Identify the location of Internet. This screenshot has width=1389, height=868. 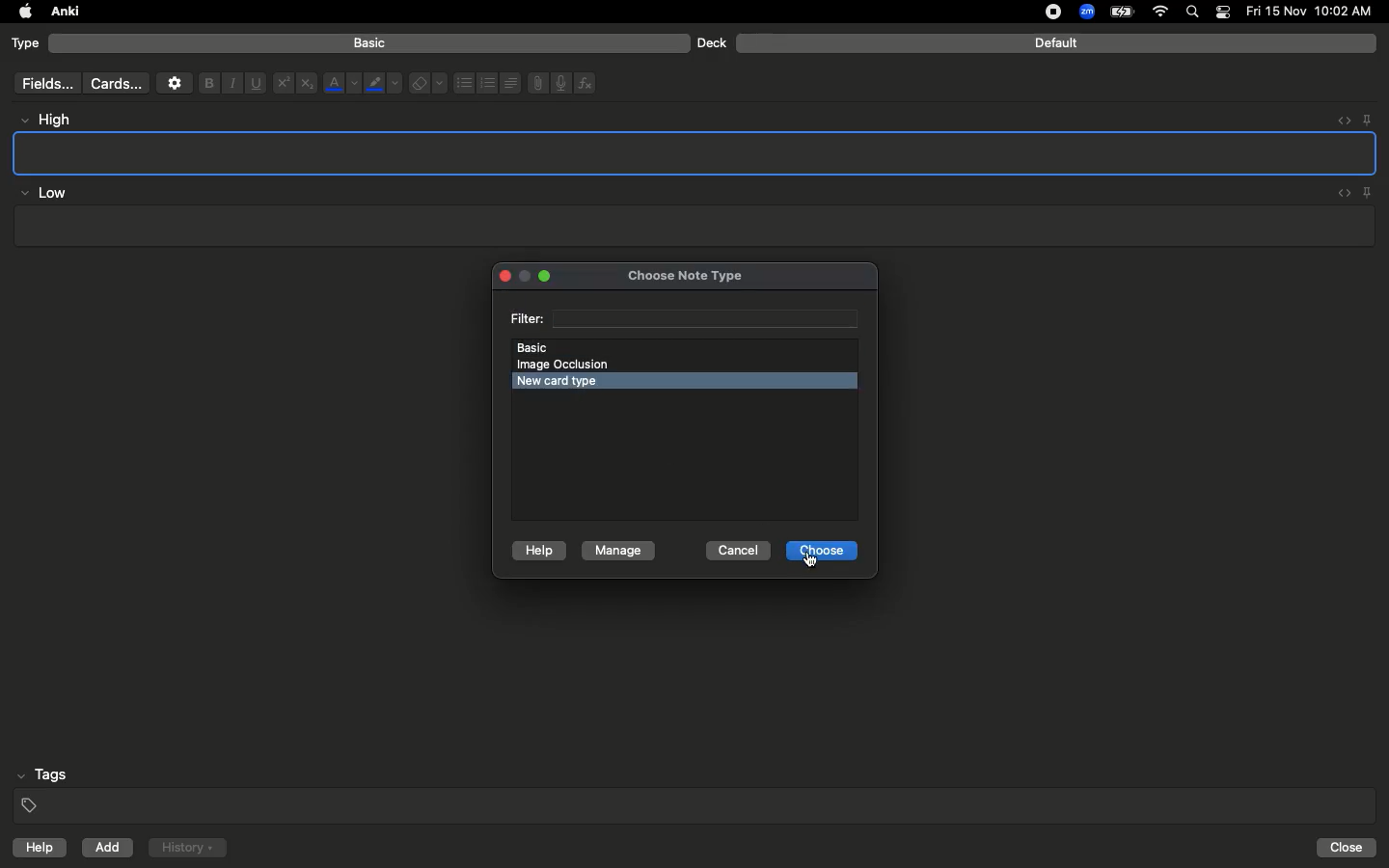
(1162, 13).